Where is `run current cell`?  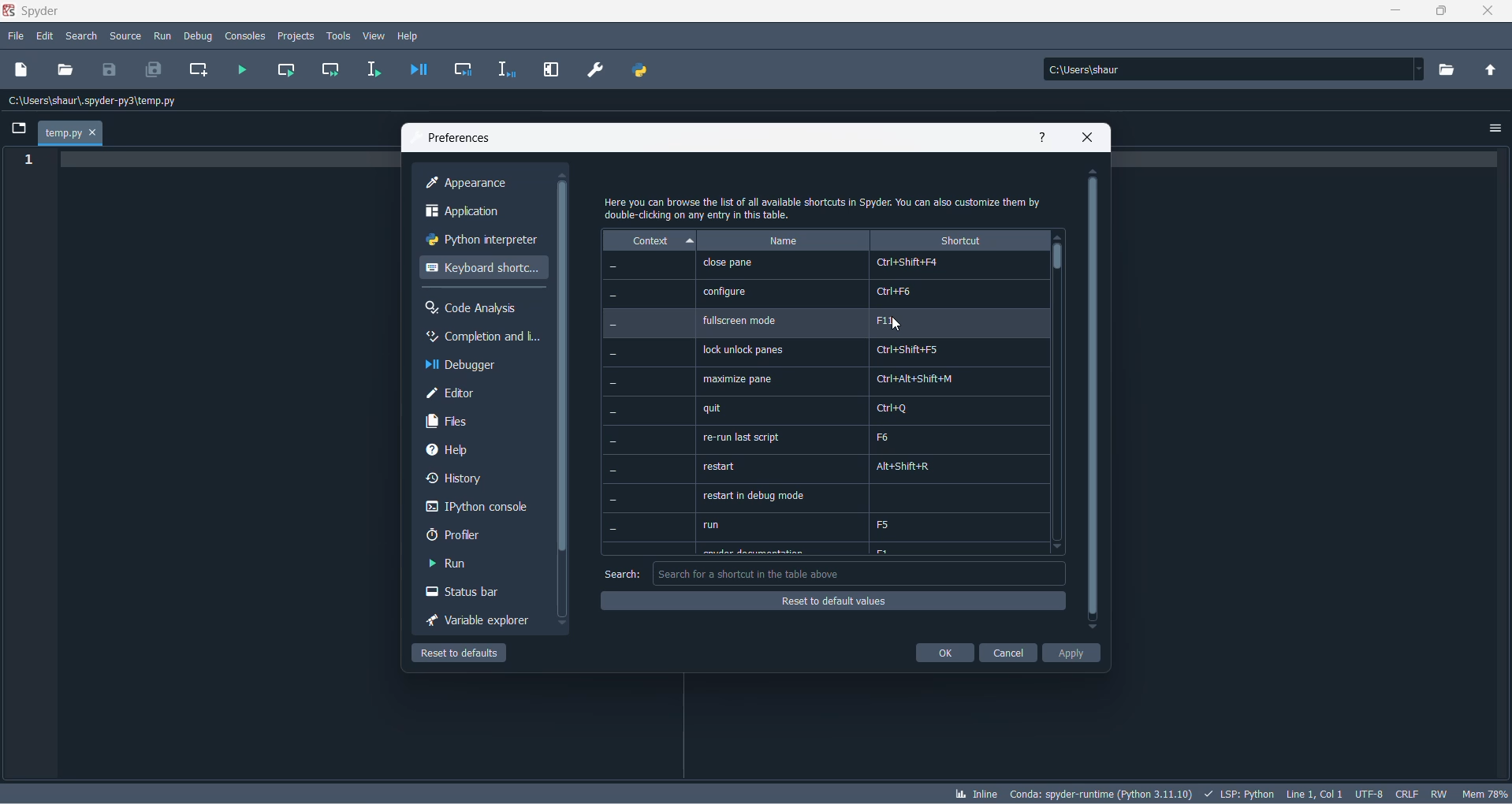
run current cell is located at coordinates (326, 73).